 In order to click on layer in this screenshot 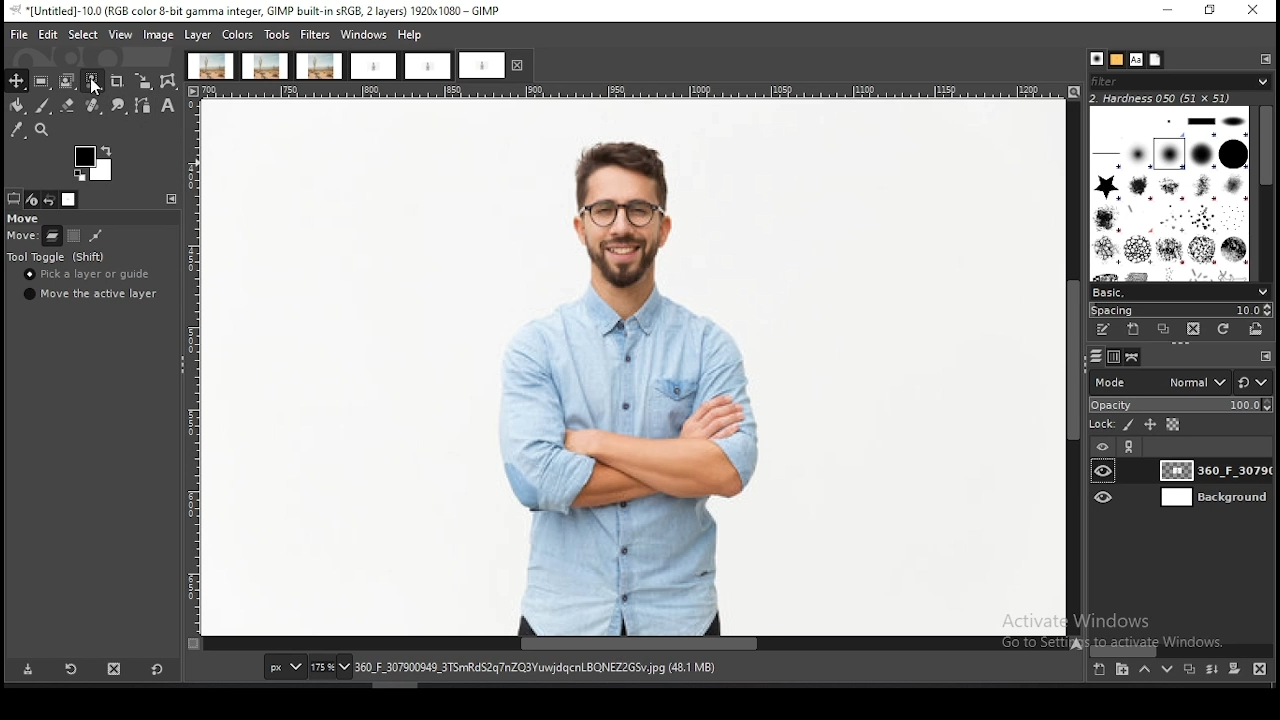, I will do `click(198, 35)`.